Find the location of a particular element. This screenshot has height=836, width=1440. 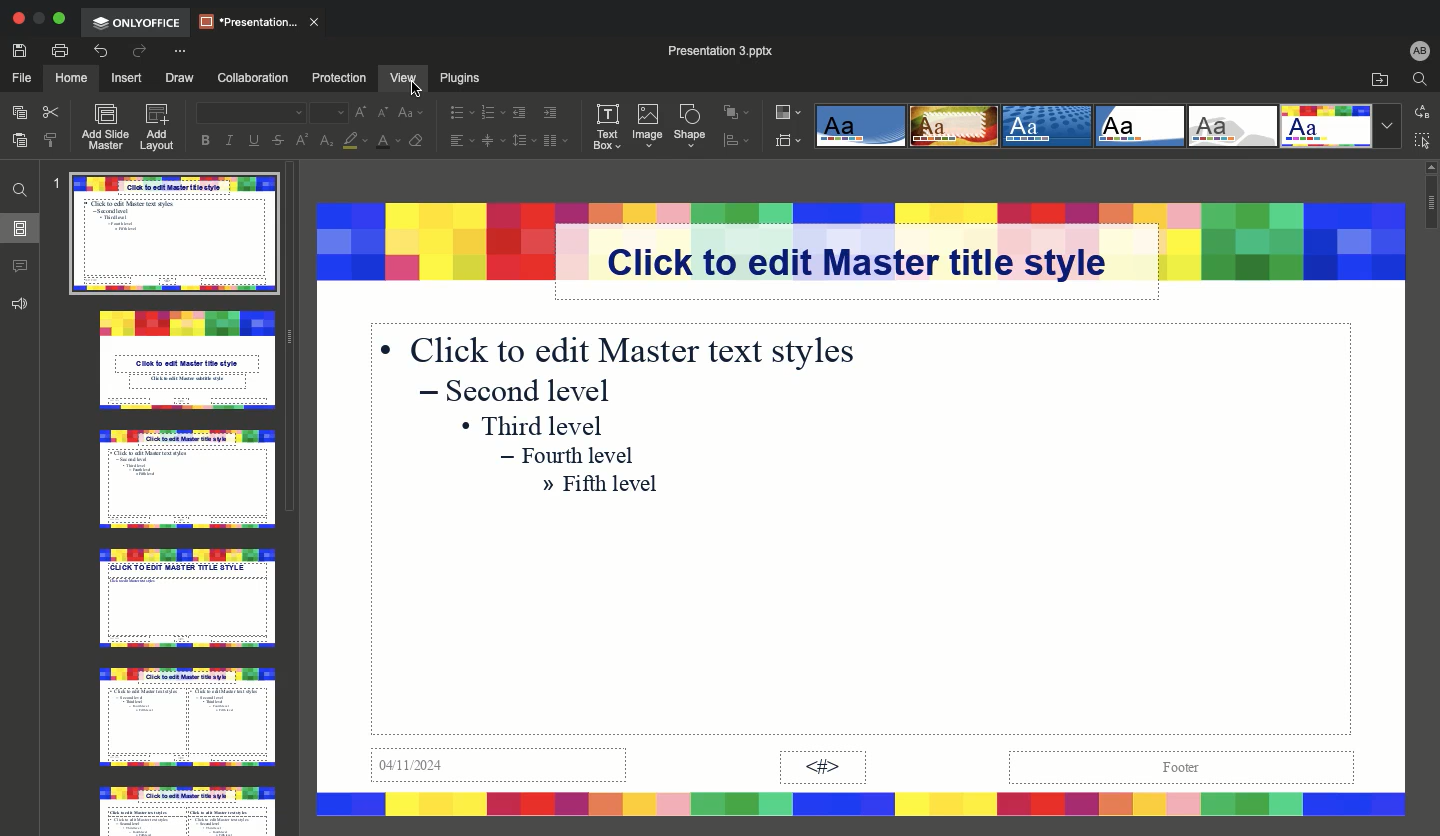

Basic style is located at coordinates (953, 123).